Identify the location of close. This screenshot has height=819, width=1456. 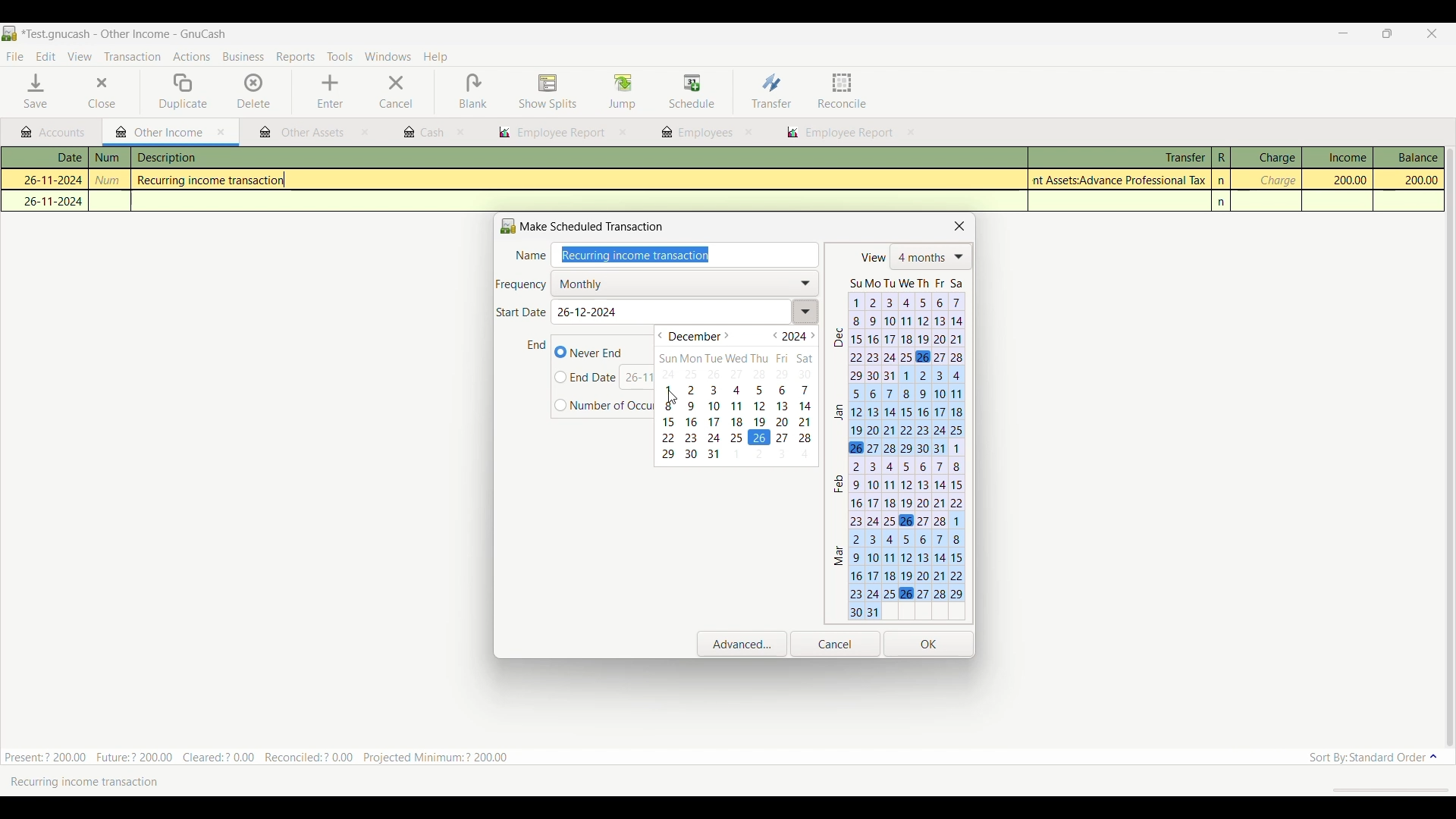
(748, 132).